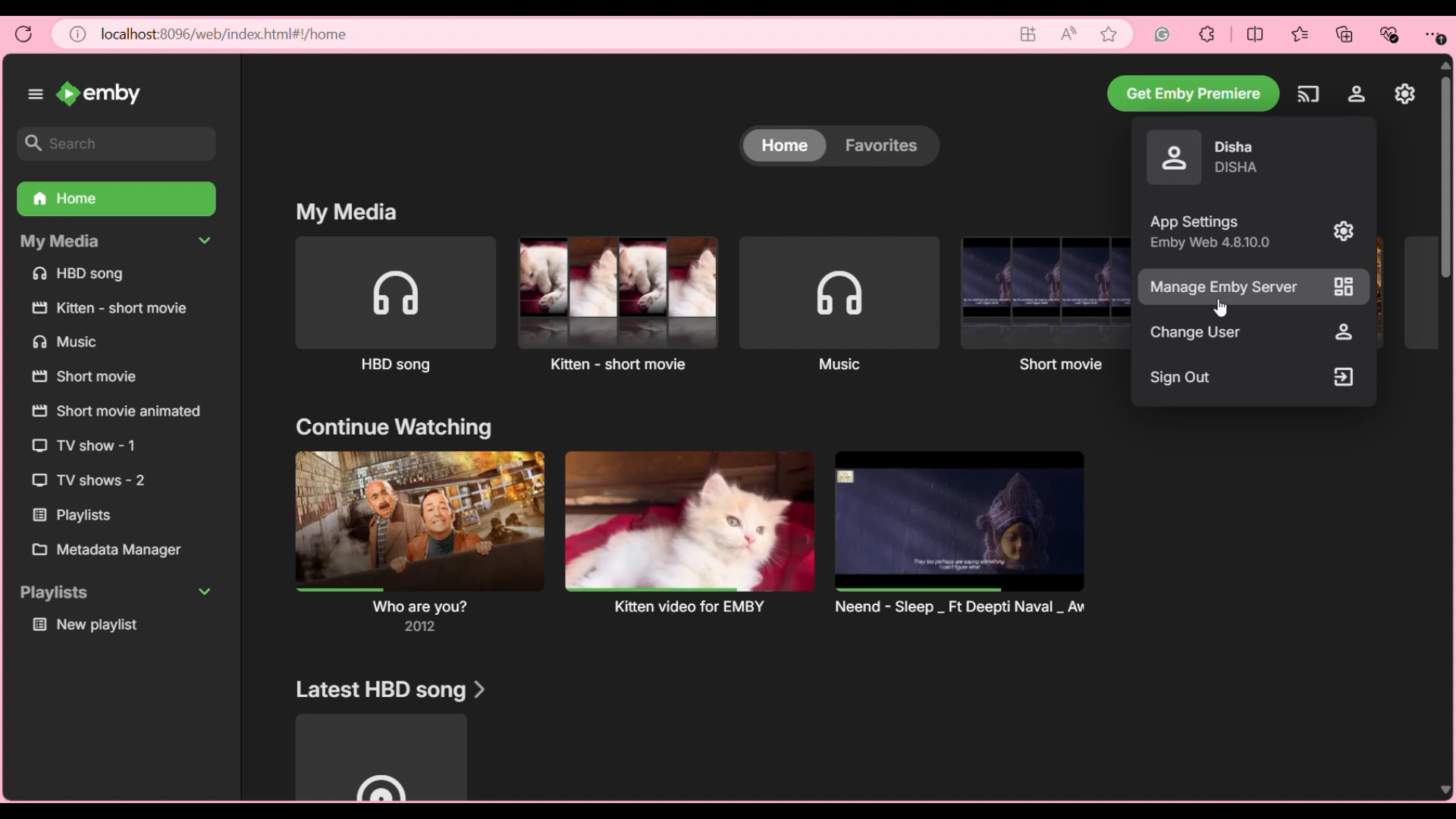  Describe the element at coordinates (1109, 34) in the screenshot. I see `Add current web page to favorites` at that location.